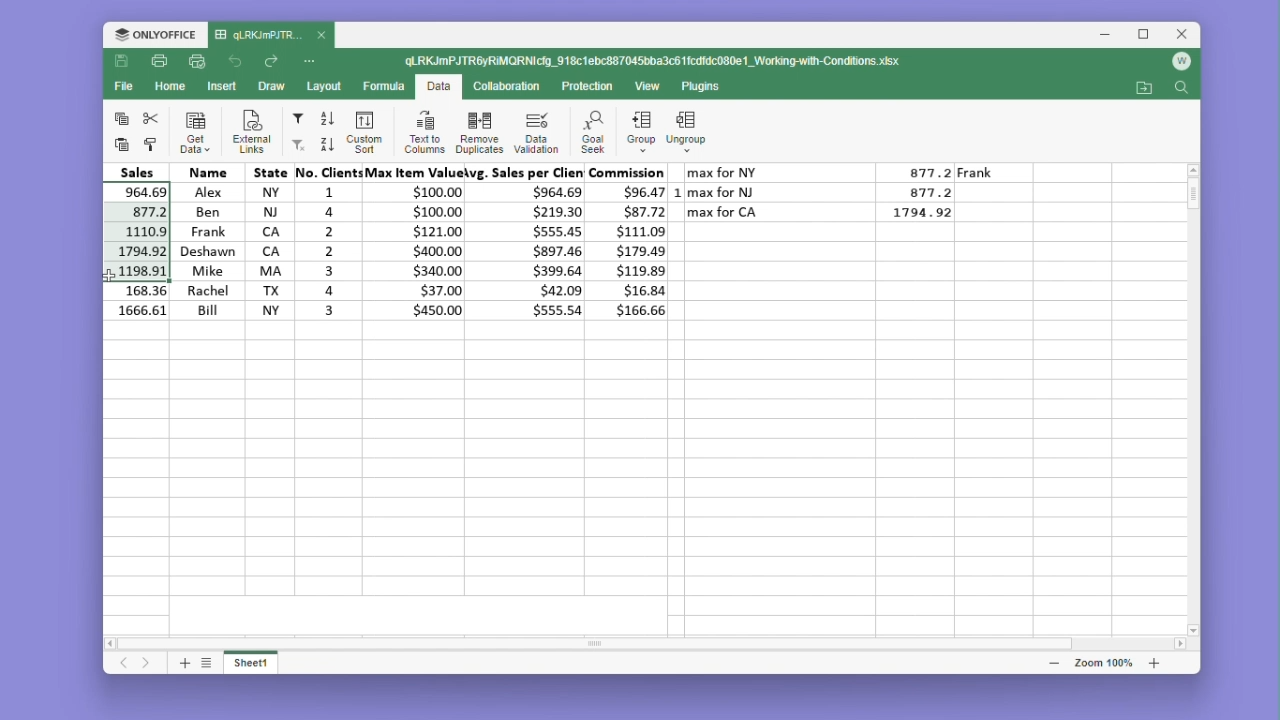 This screenshot has height=720, width=1280. What do you see at coordinates (121, 117) in the screenshot?
I see `copy` at bounding box center [121, 117].